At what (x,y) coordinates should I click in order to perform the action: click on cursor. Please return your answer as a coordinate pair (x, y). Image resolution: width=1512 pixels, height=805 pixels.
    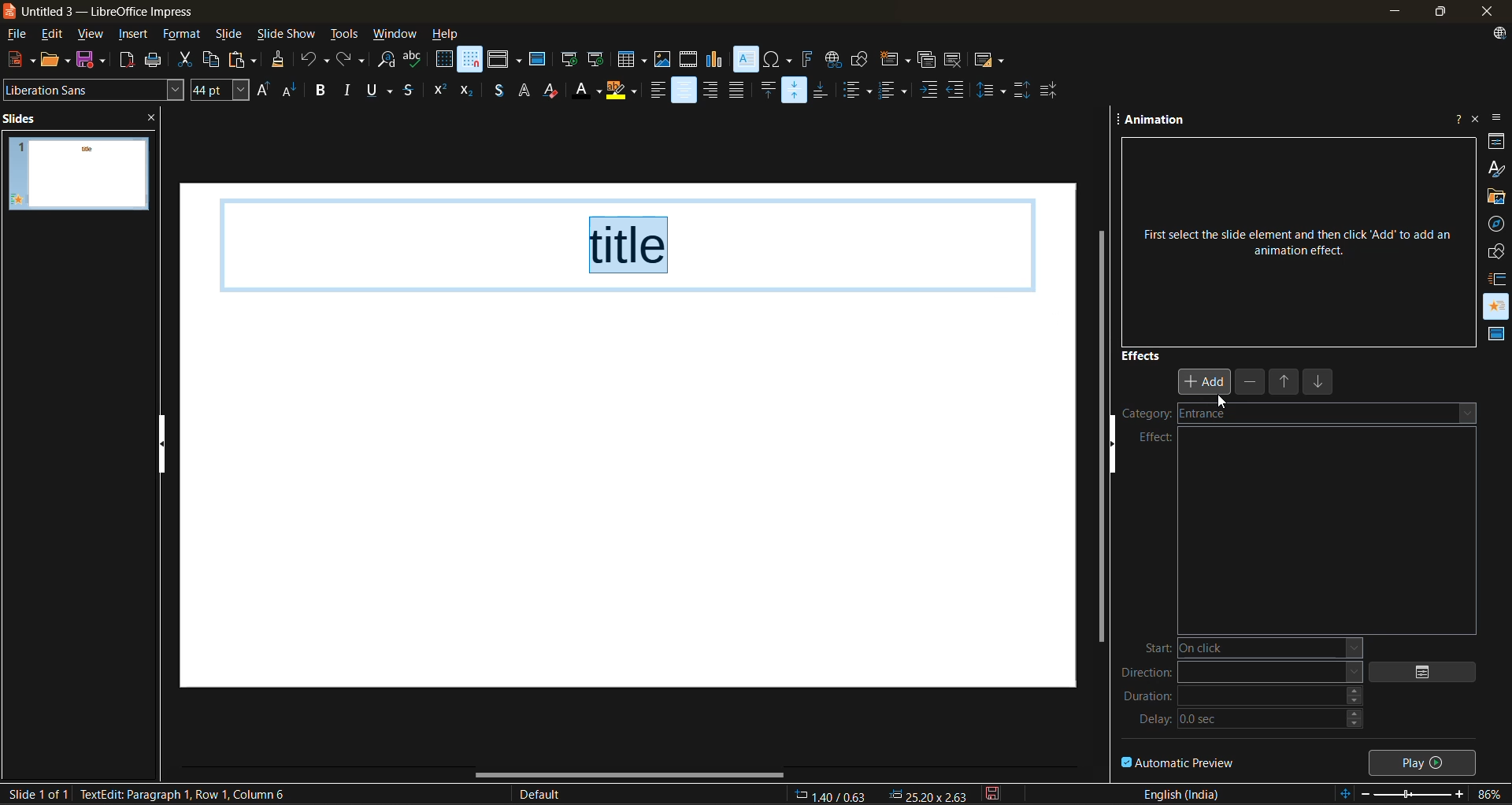
    Looking at the image, I should click on (1219, 401).